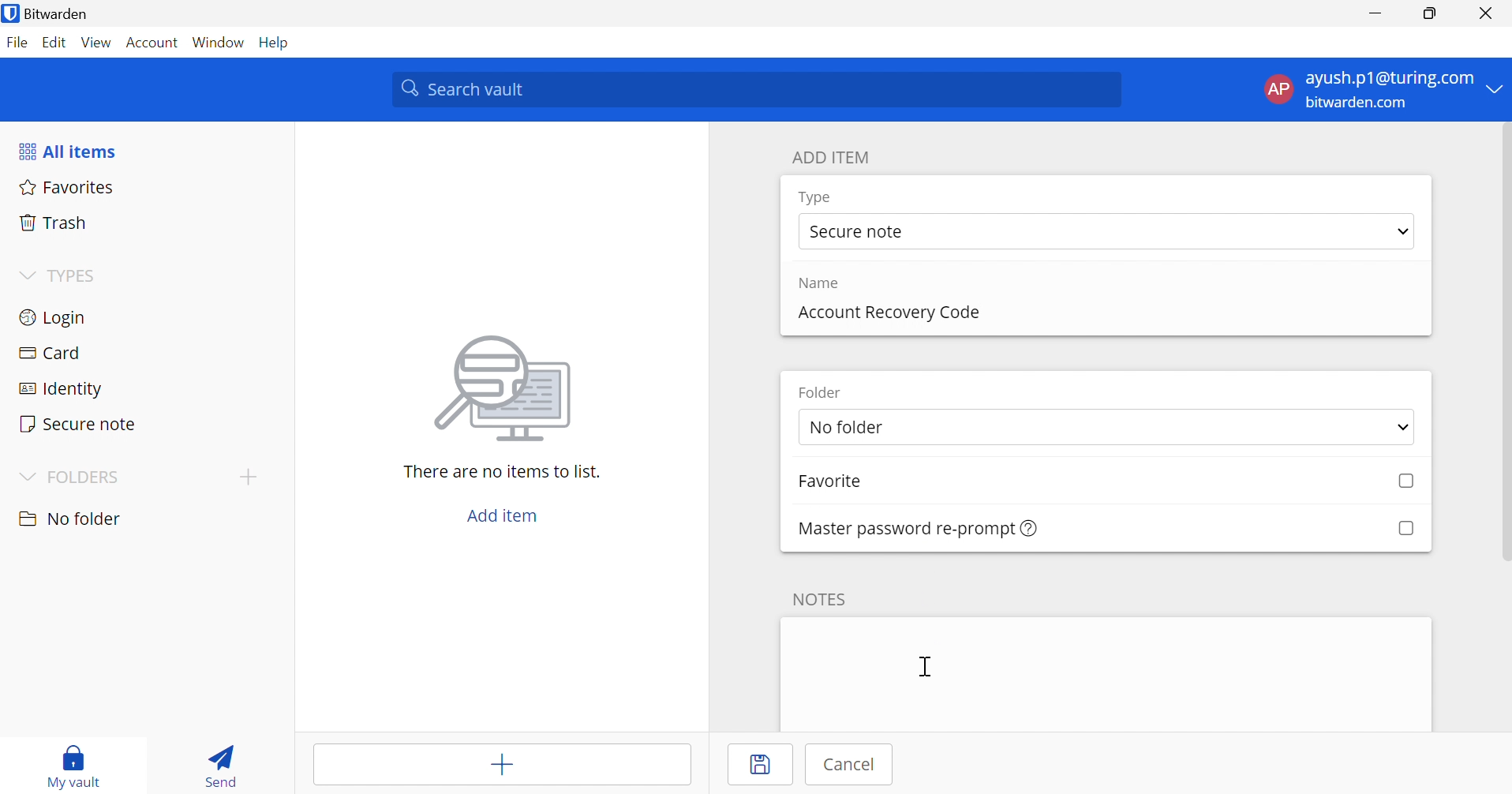  I want to click on Create folder, so click(247, 477).